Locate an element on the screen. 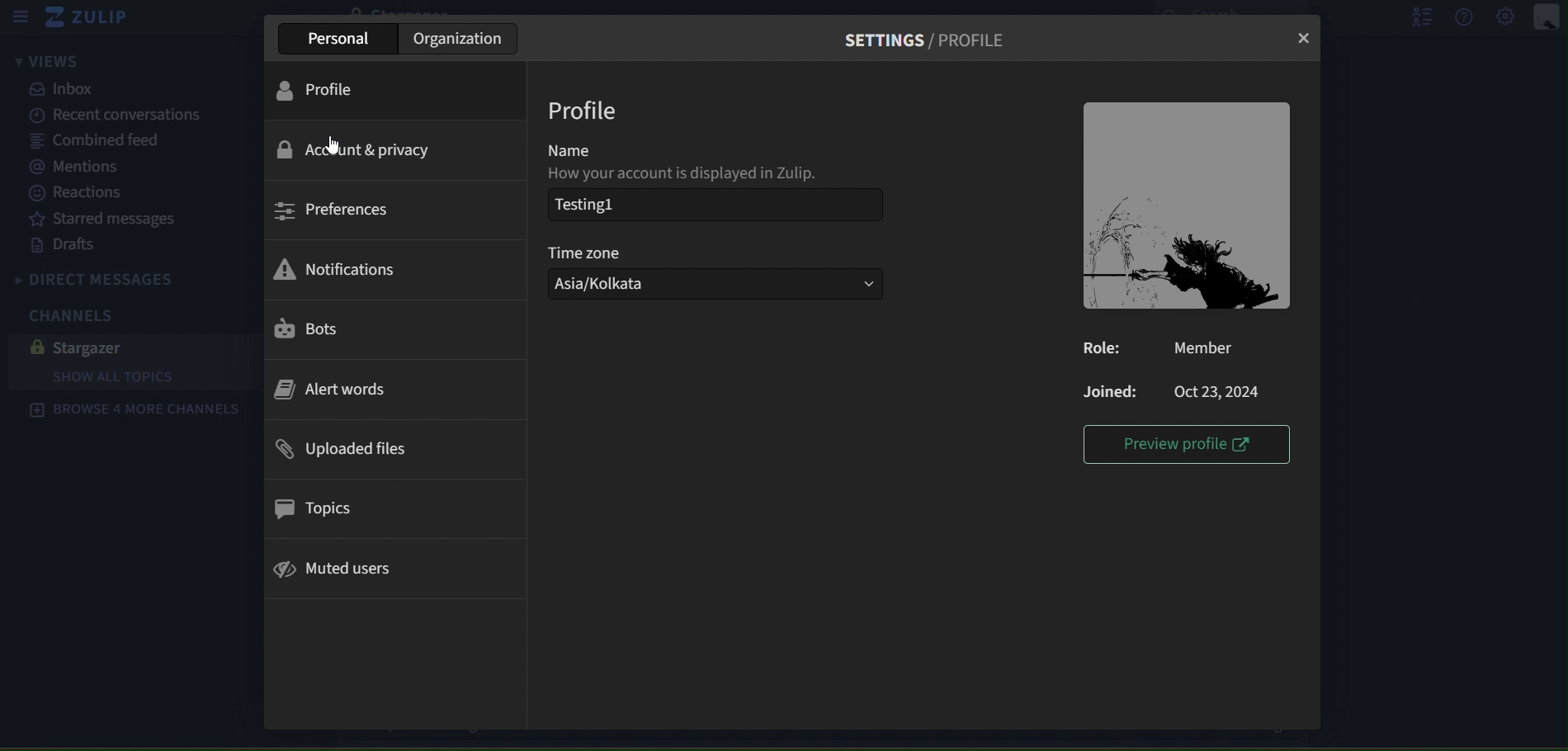 The height and width of the screenshot is (751, 1568). drafts is located at coordinates (68, 245).